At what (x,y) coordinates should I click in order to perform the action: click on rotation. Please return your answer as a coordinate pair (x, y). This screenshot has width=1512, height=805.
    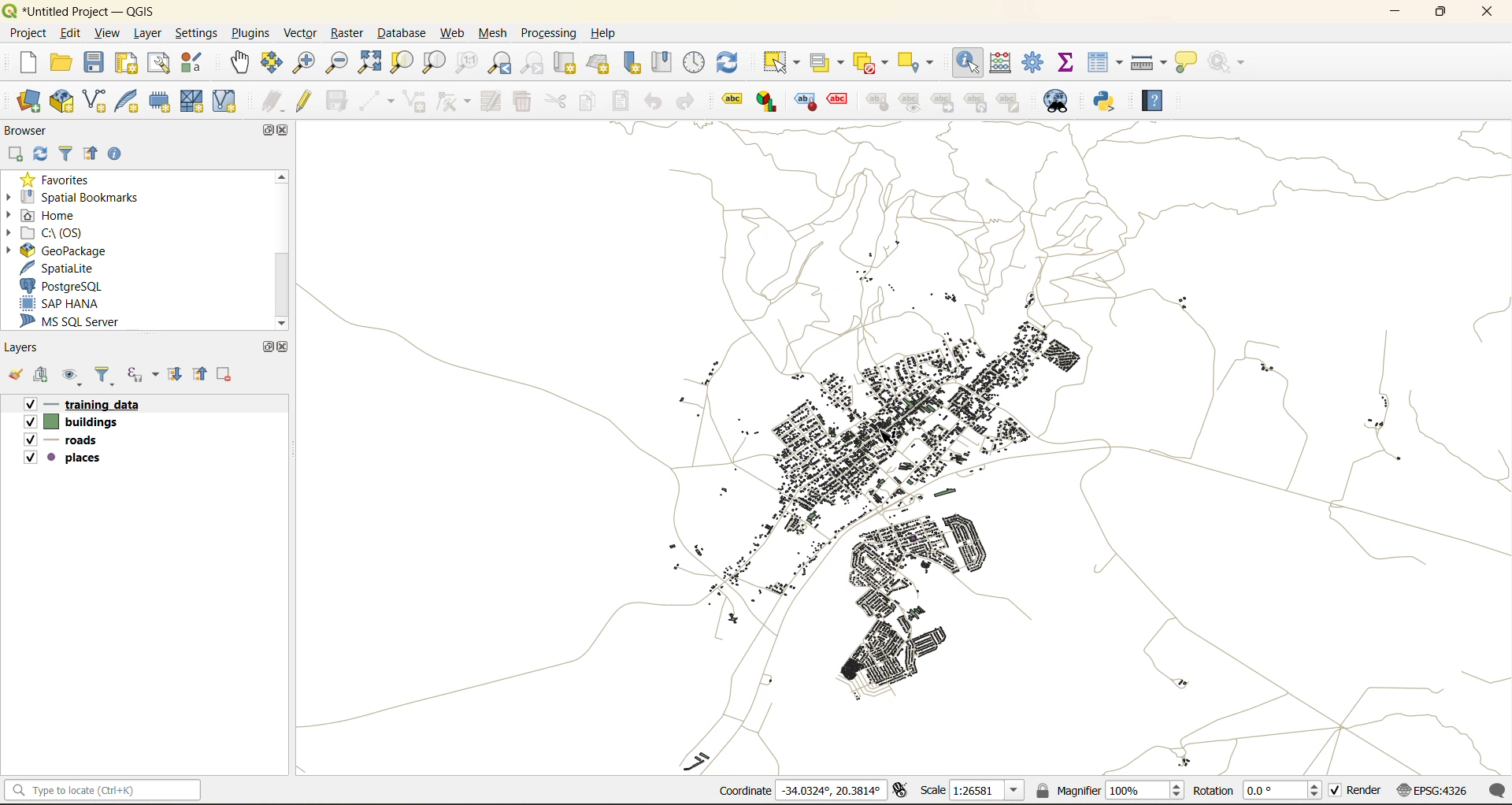
    Looking at the image, I should click on (1258, 792).